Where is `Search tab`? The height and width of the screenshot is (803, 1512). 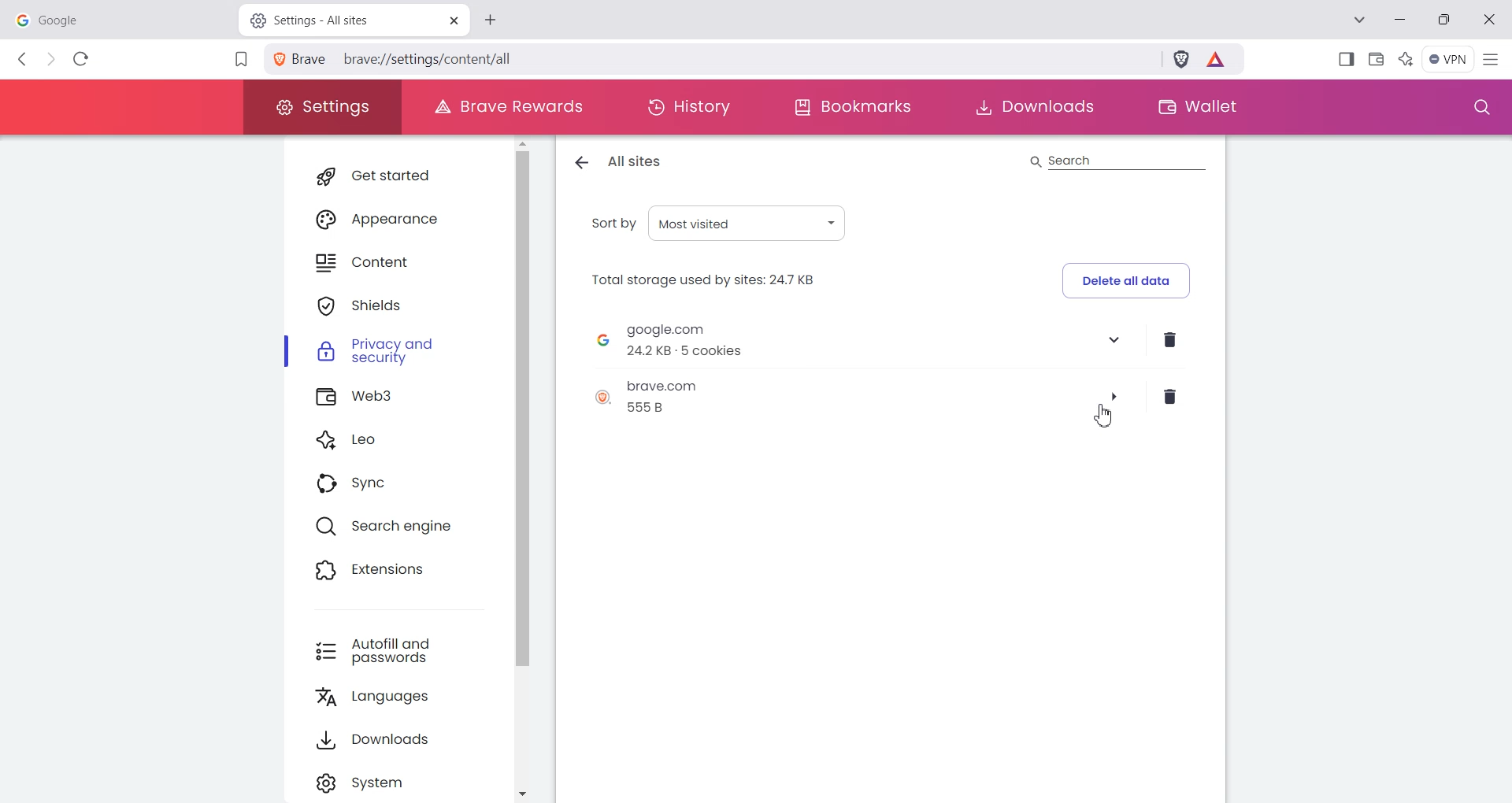
Search tab is located at coordinates (1362, 21).